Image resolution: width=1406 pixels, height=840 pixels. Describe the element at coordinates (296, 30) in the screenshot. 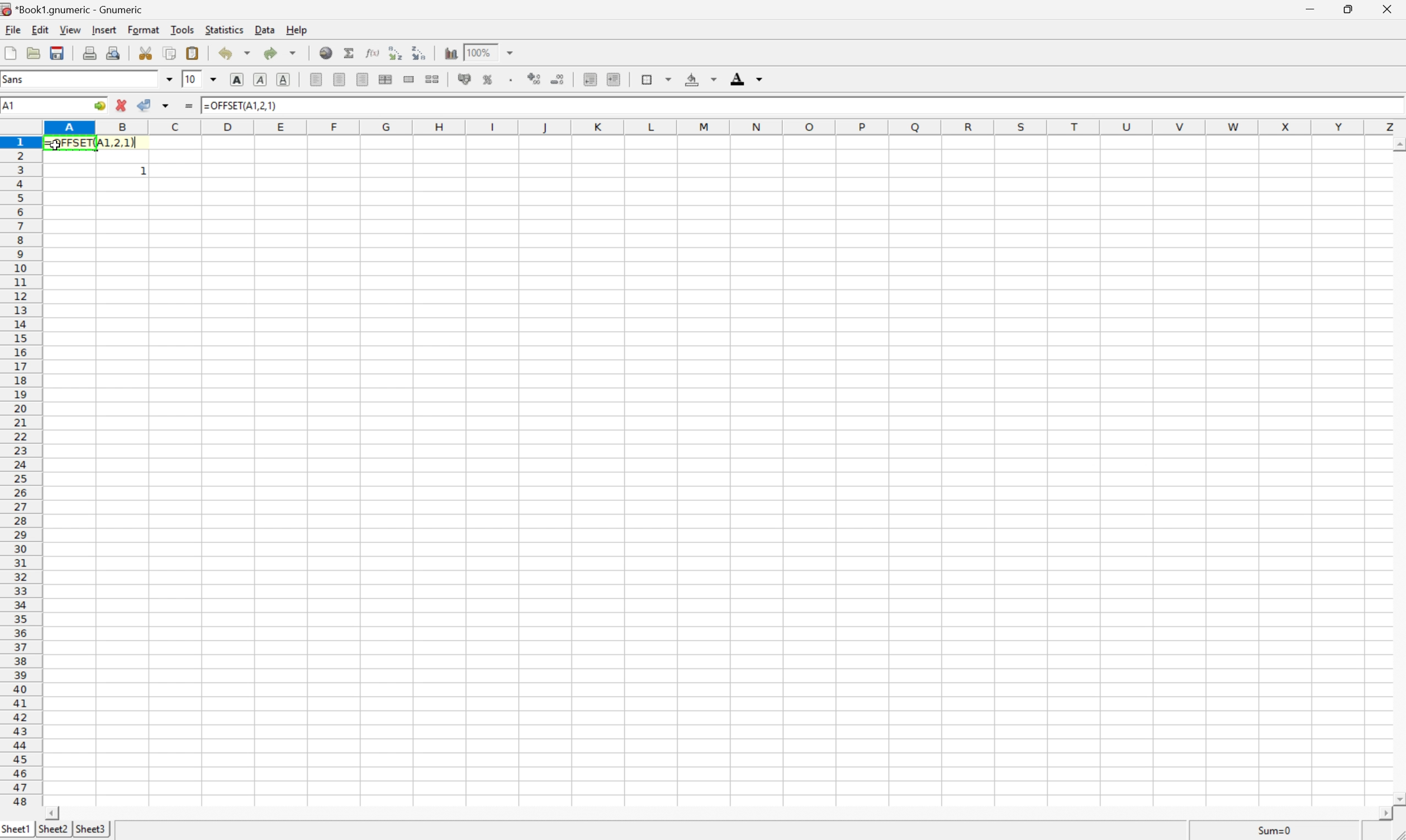

I see `help` at that location.